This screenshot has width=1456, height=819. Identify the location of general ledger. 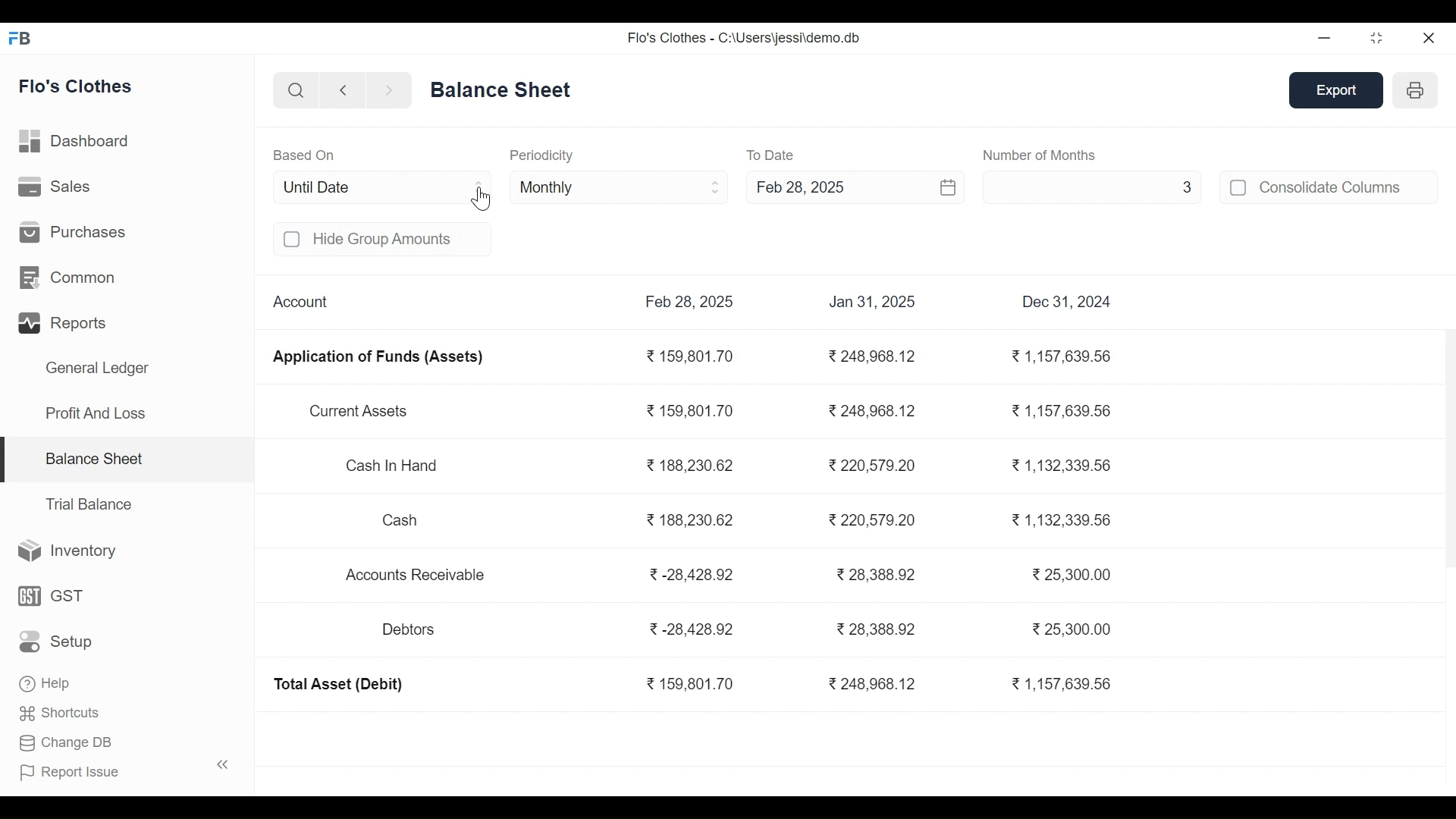
(504, 89).